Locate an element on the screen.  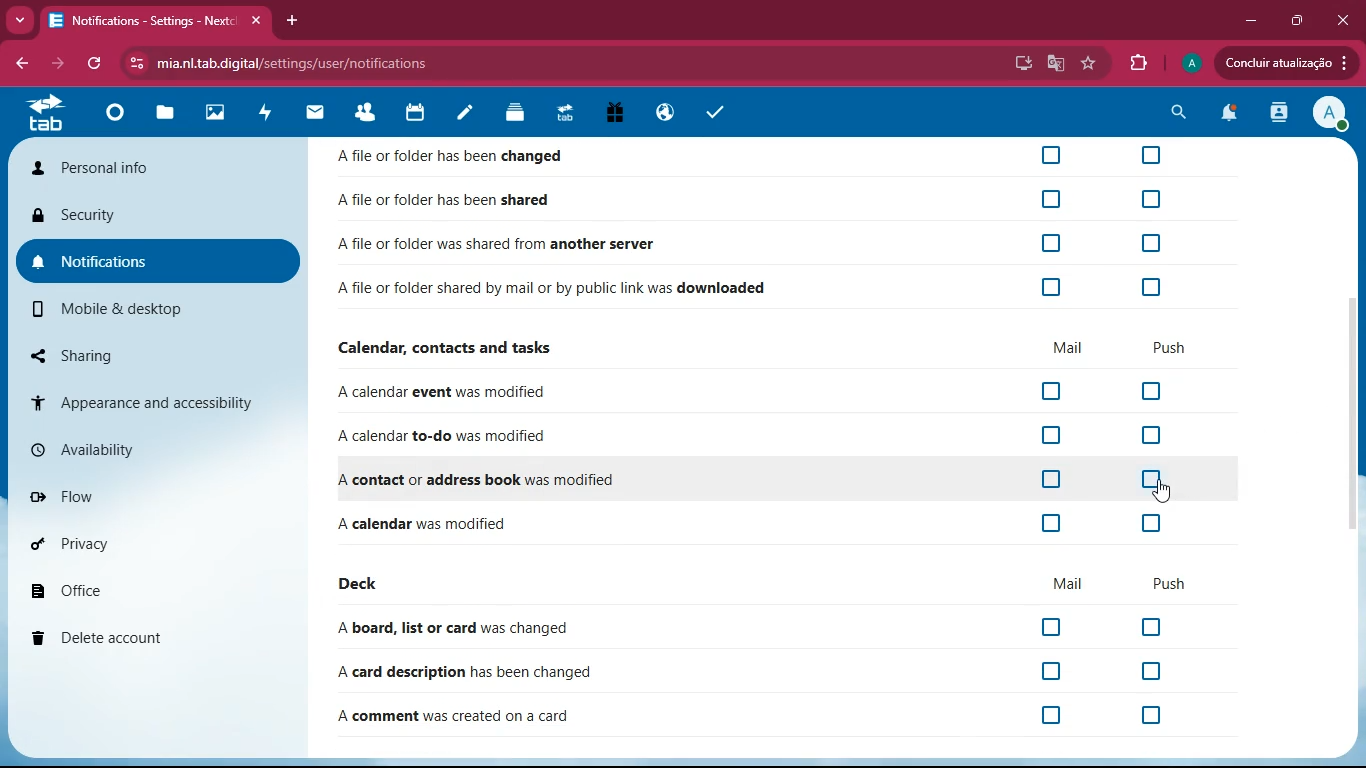
Close is located at coordinates (1343, 20).